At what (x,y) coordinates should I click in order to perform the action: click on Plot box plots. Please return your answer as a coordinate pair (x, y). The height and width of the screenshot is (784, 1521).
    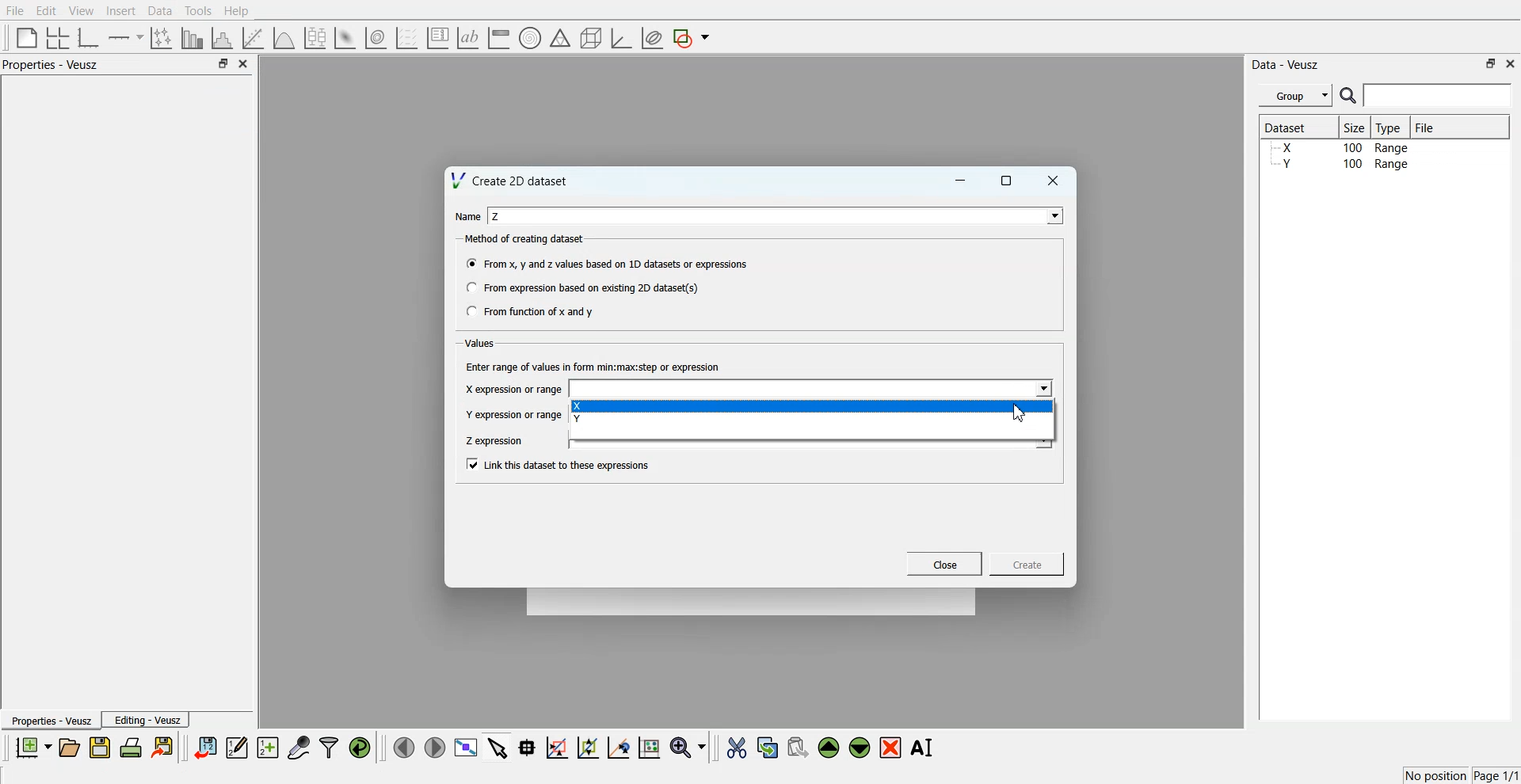
    Looking at the image, I should click on (315, 38).